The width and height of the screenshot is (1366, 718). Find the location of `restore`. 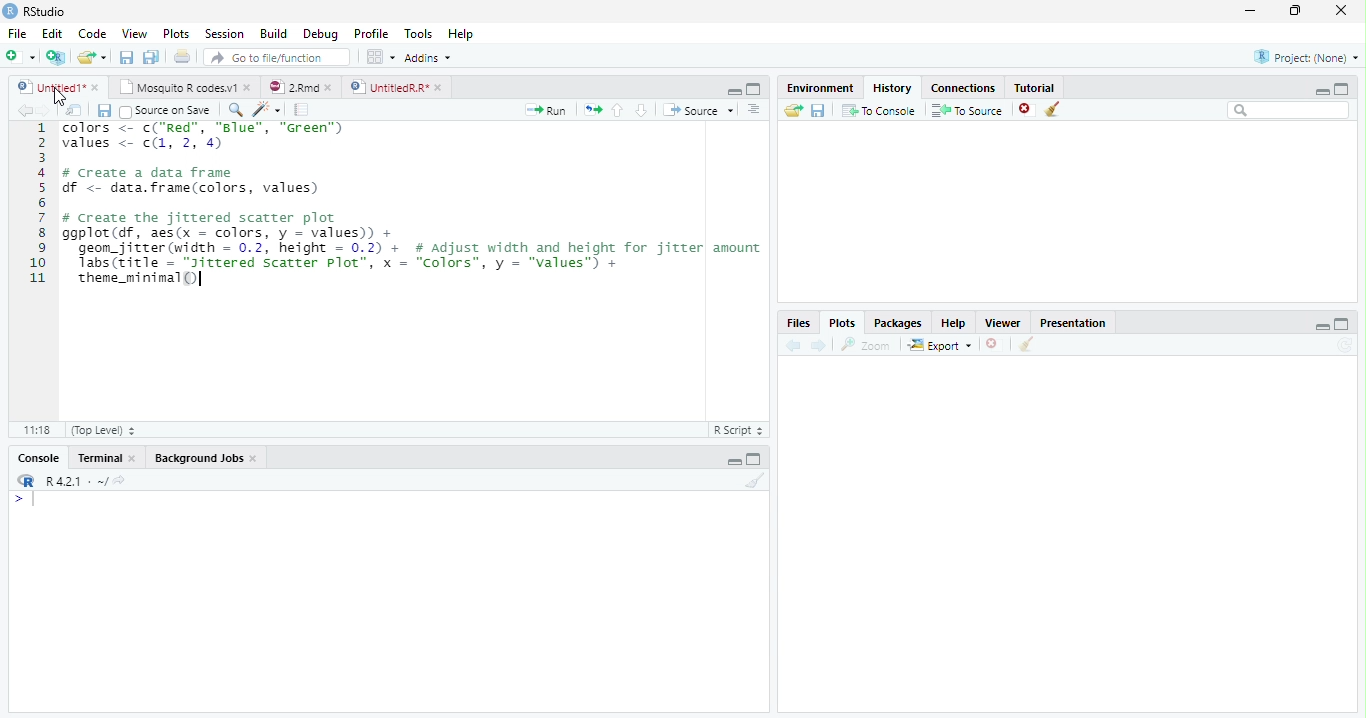

restore is located at coordinates (1295, 11).